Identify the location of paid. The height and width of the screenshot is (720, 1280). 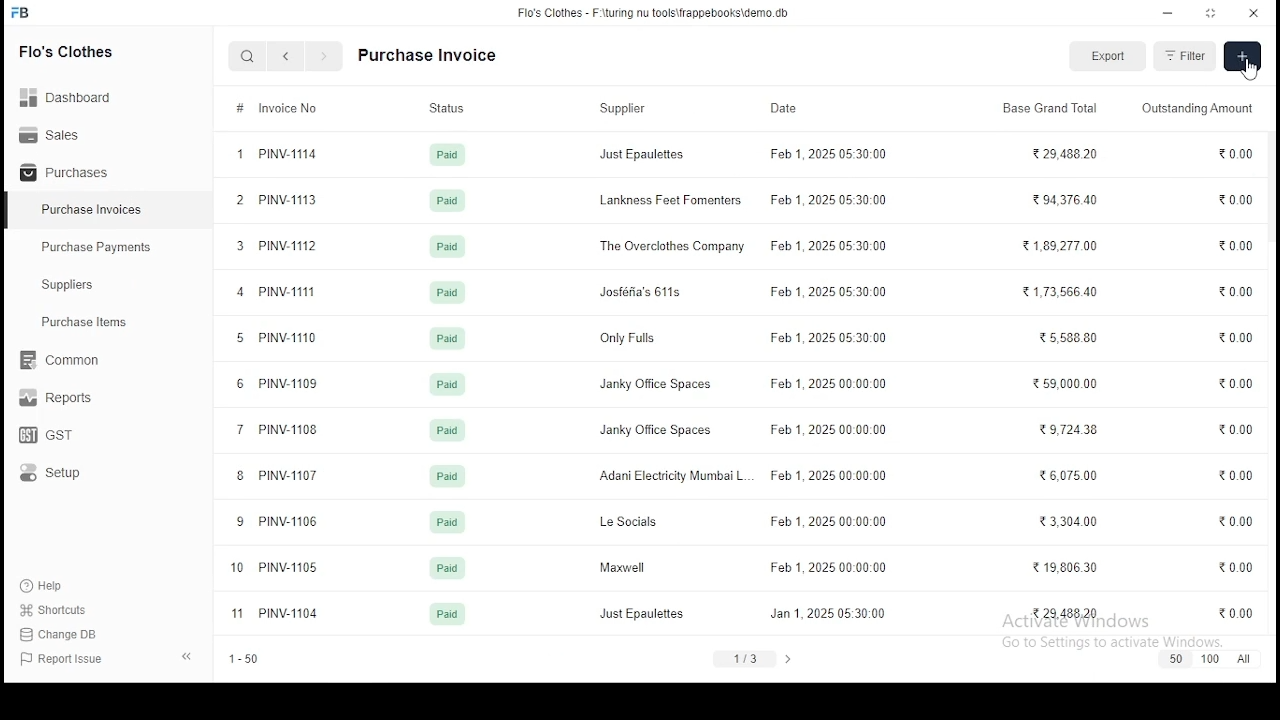
(447, 431).